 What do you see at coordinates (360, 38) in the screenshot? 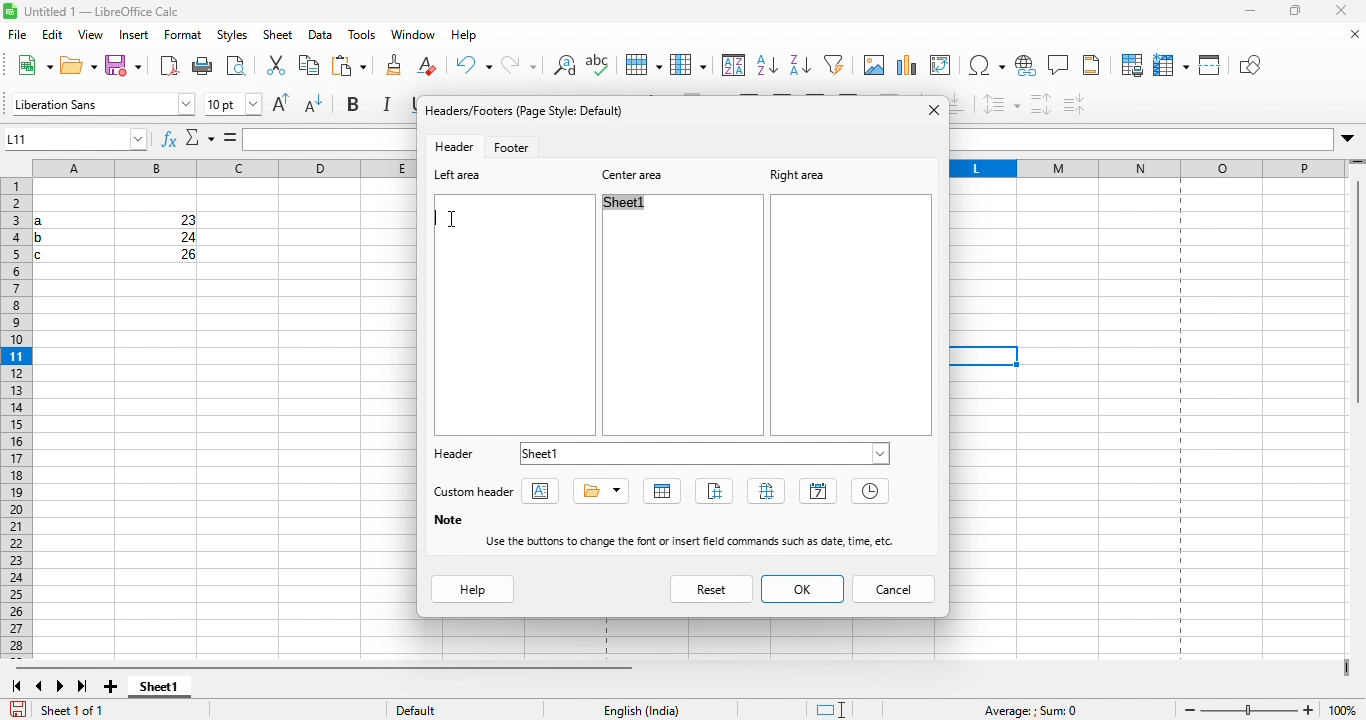
I see `tools` at bounding box center [360, 38].